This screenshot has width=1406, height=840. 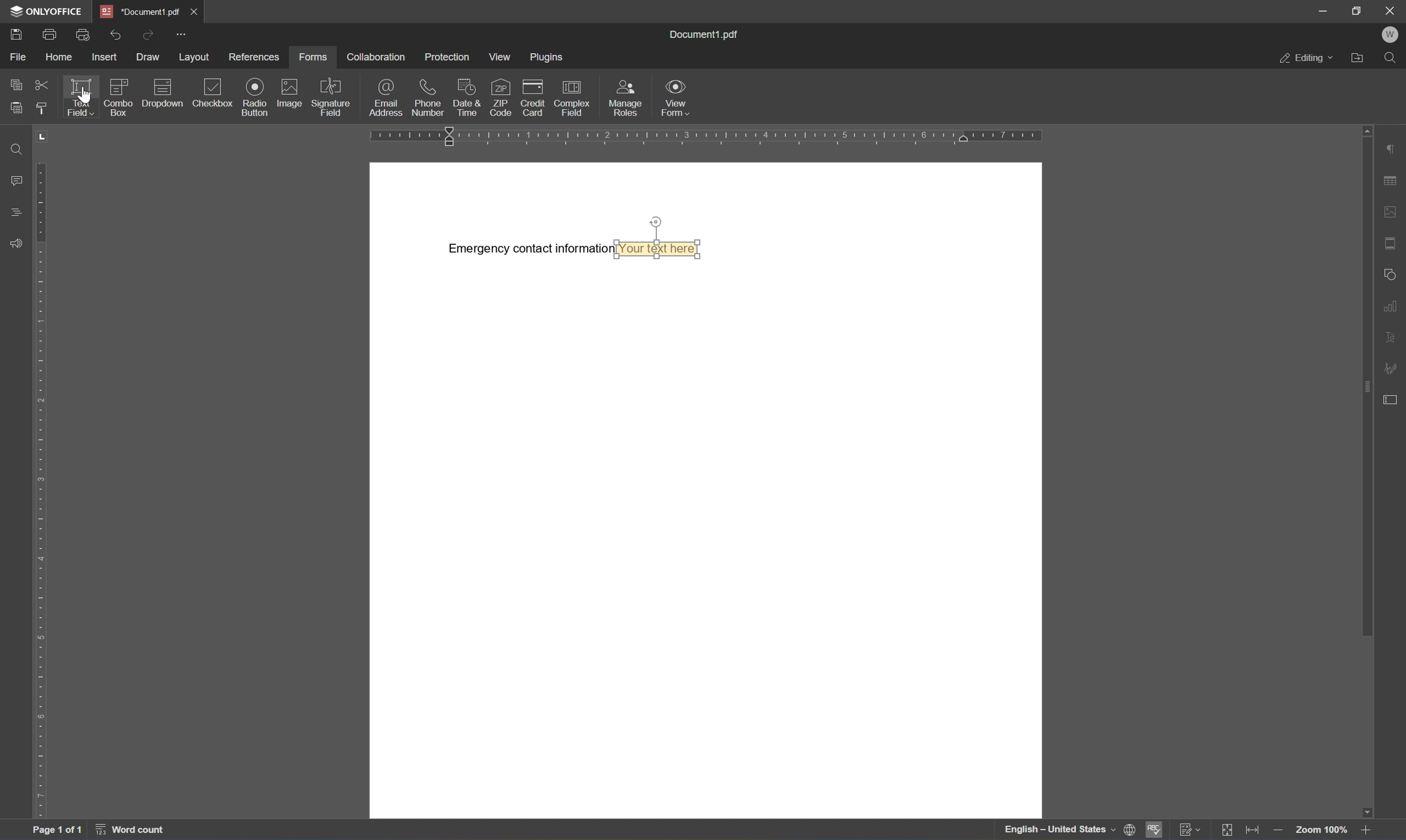 What do you see at coordinates (82, 35) in the screenshot?
I see `quick print` at bounding box center [82, 35].